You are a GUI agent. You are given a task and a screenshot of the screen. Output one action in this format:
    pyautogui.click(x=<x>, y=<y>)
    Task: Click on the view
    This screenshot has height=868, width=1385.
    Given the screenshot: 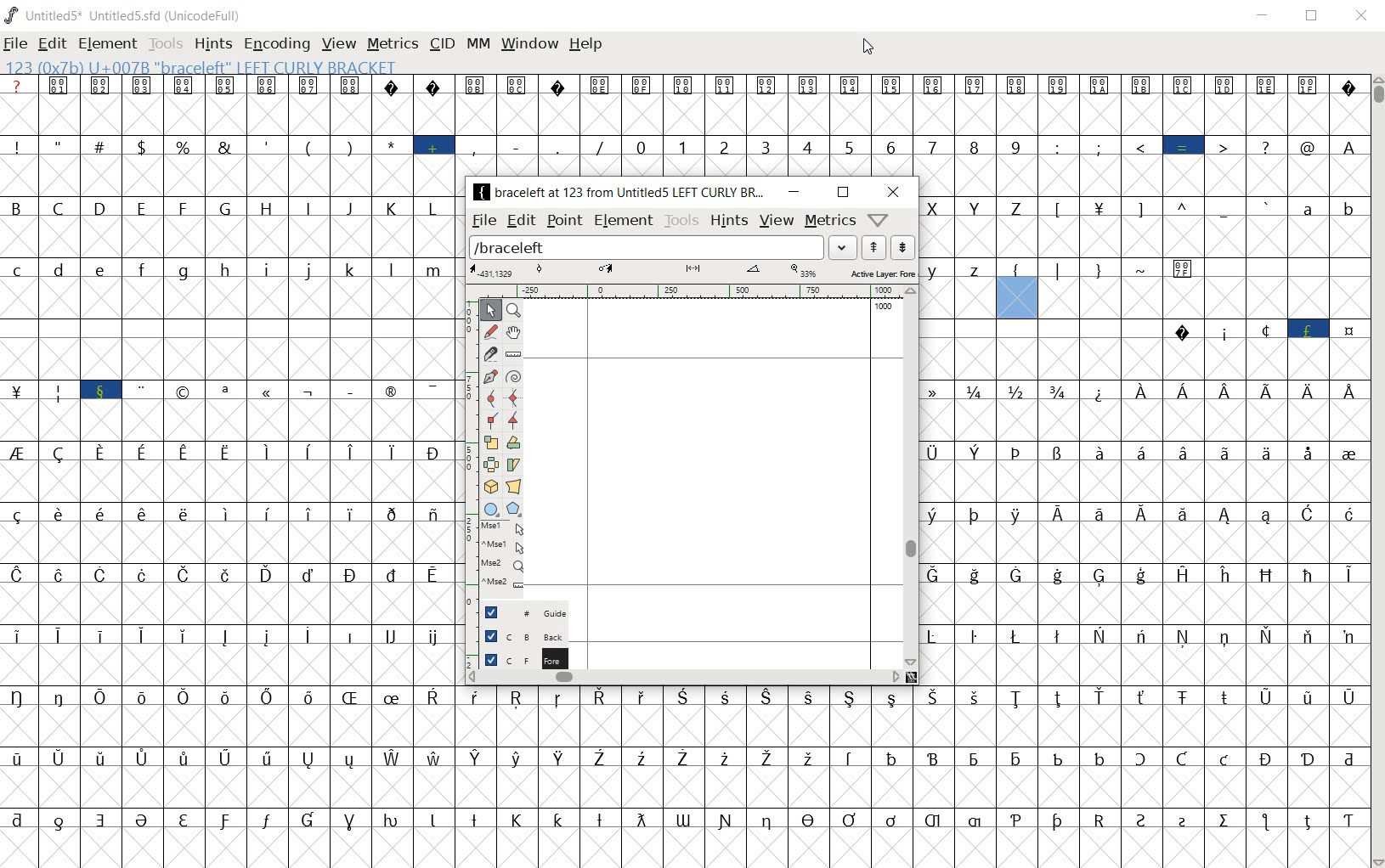 What is the action you would take?
    pyautogui.click(x=776, y=222)
    